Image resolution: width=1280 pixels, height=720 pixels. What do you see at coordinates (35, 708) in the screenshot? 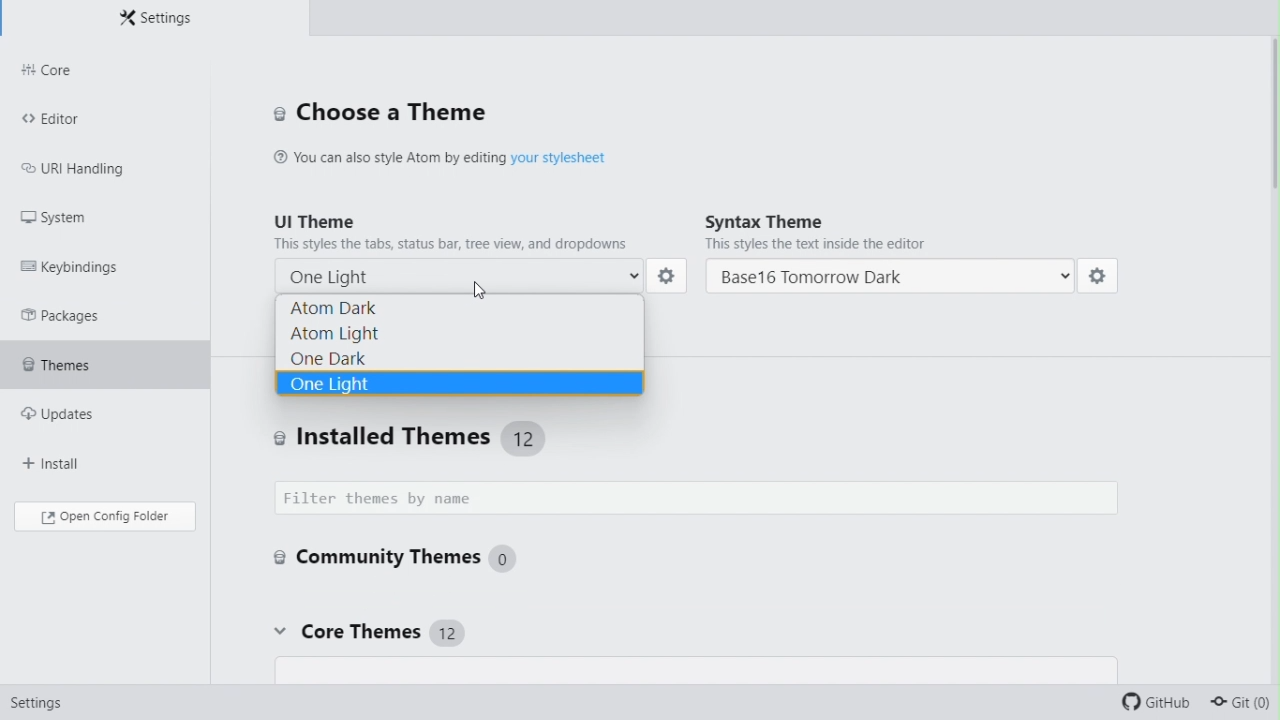
I see `Settings` at bounding box center [35, 708].